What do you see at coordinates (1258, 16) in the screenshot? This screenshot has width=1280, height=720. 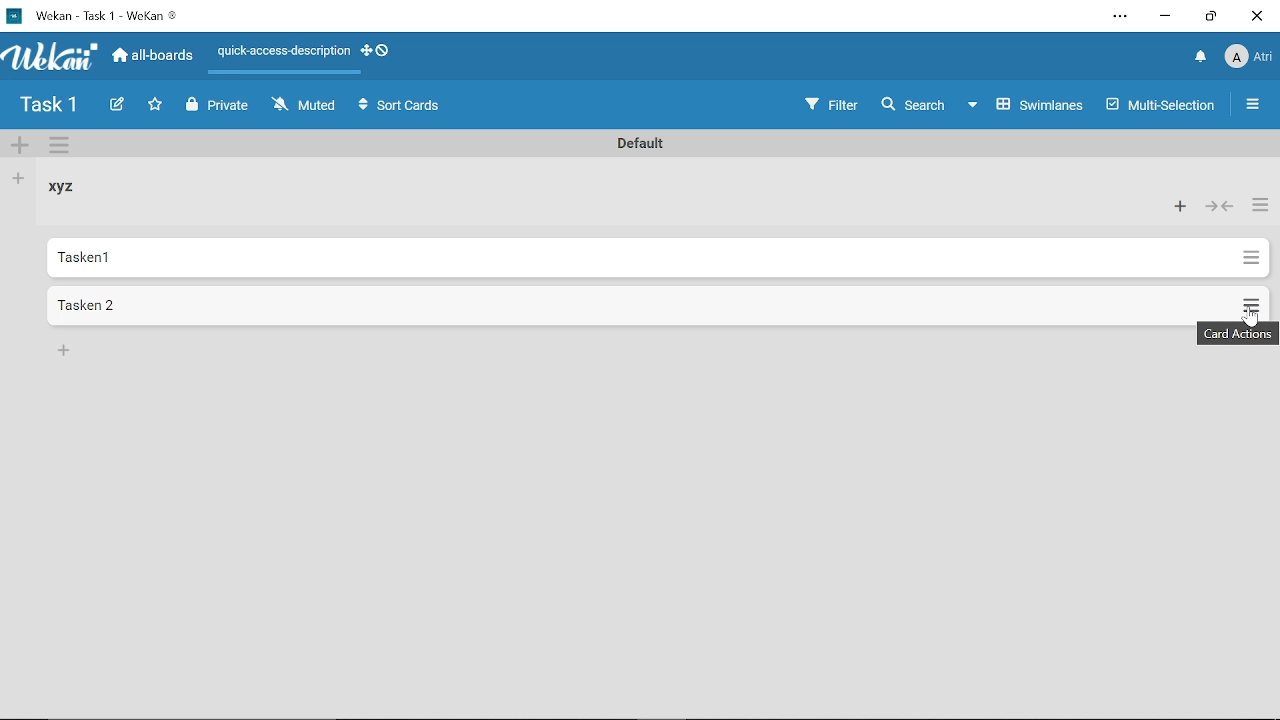 I see `Close` at bounding box center [1258, 16].